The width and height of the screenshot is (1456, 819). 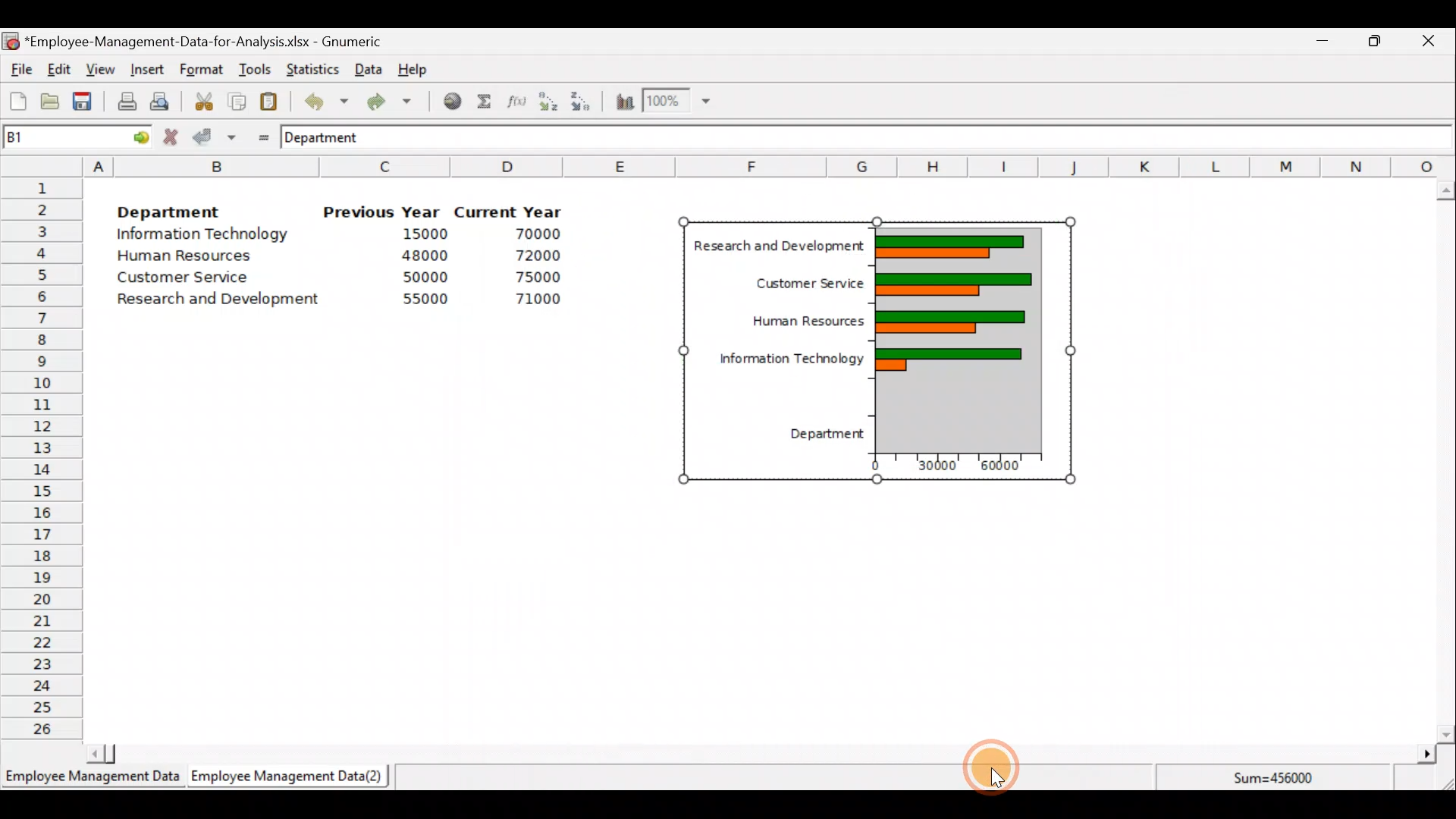 What do you see at coordinates (422, 68) in the screenshot?
I see `Help` at bounding box center [422, 68].